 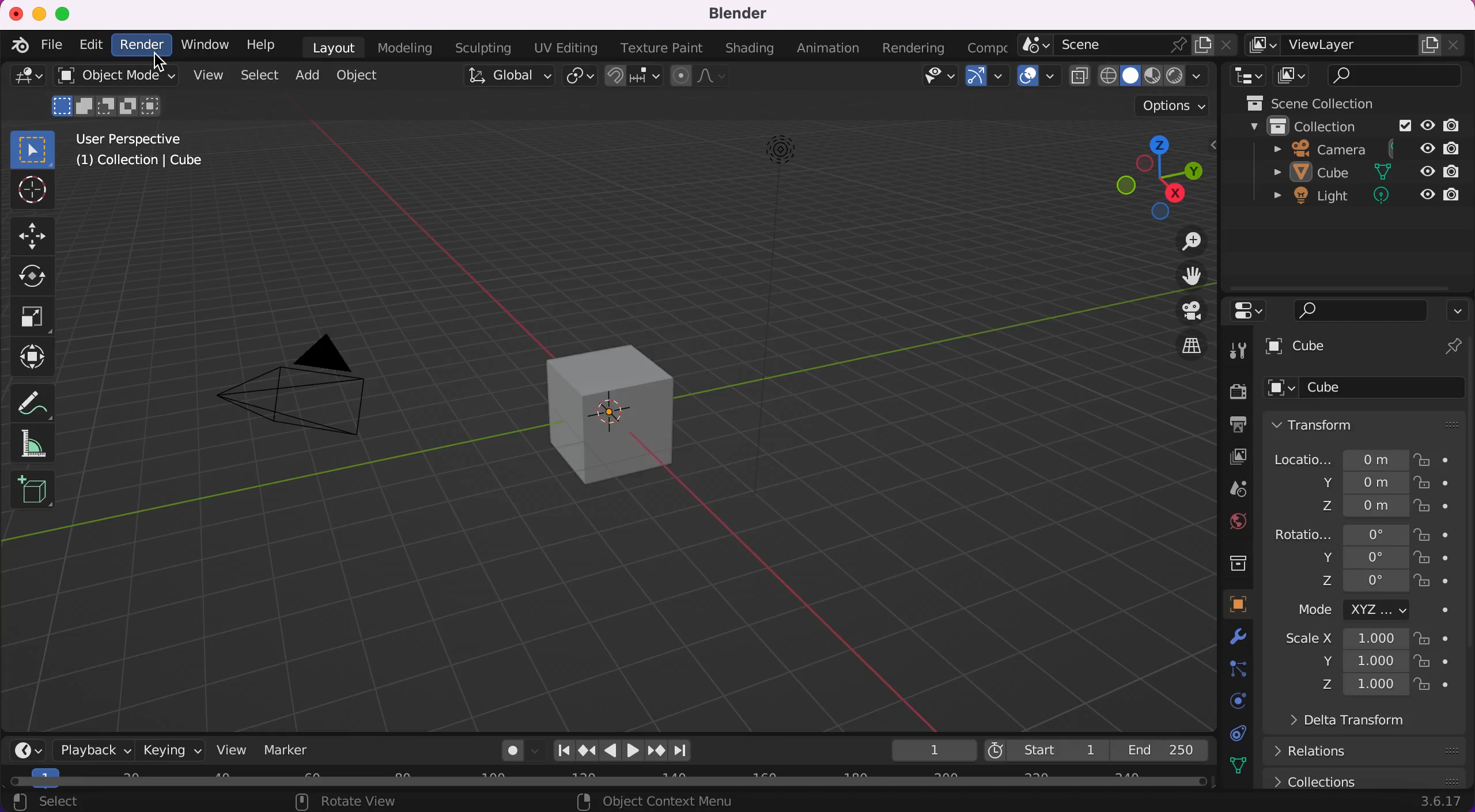 I want to click on light, so click(x=769, y=316).